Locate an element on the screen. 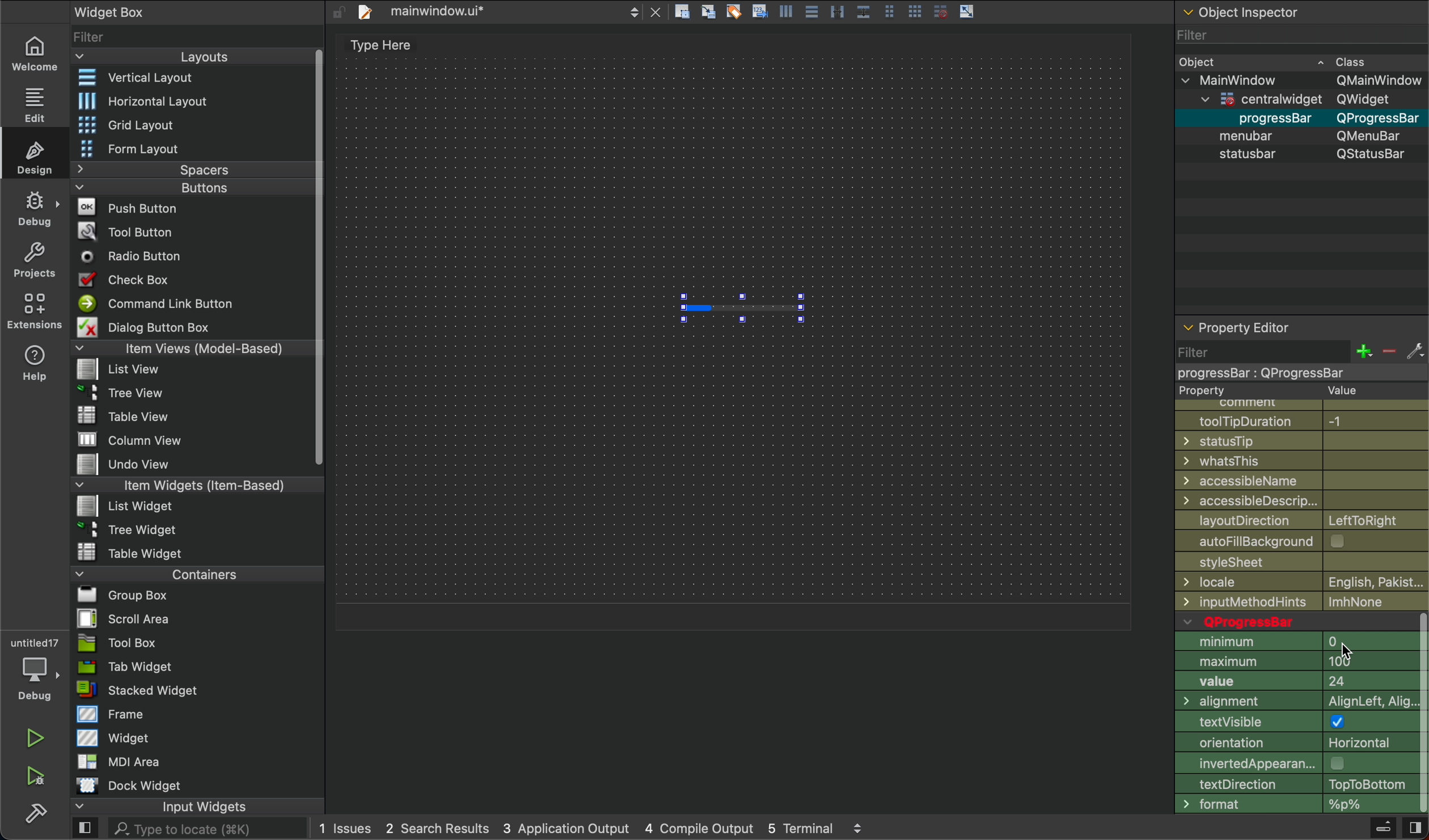 The width and height of the screenshot is (1429, 840). Form Layout is located at coordinates (143, 149).